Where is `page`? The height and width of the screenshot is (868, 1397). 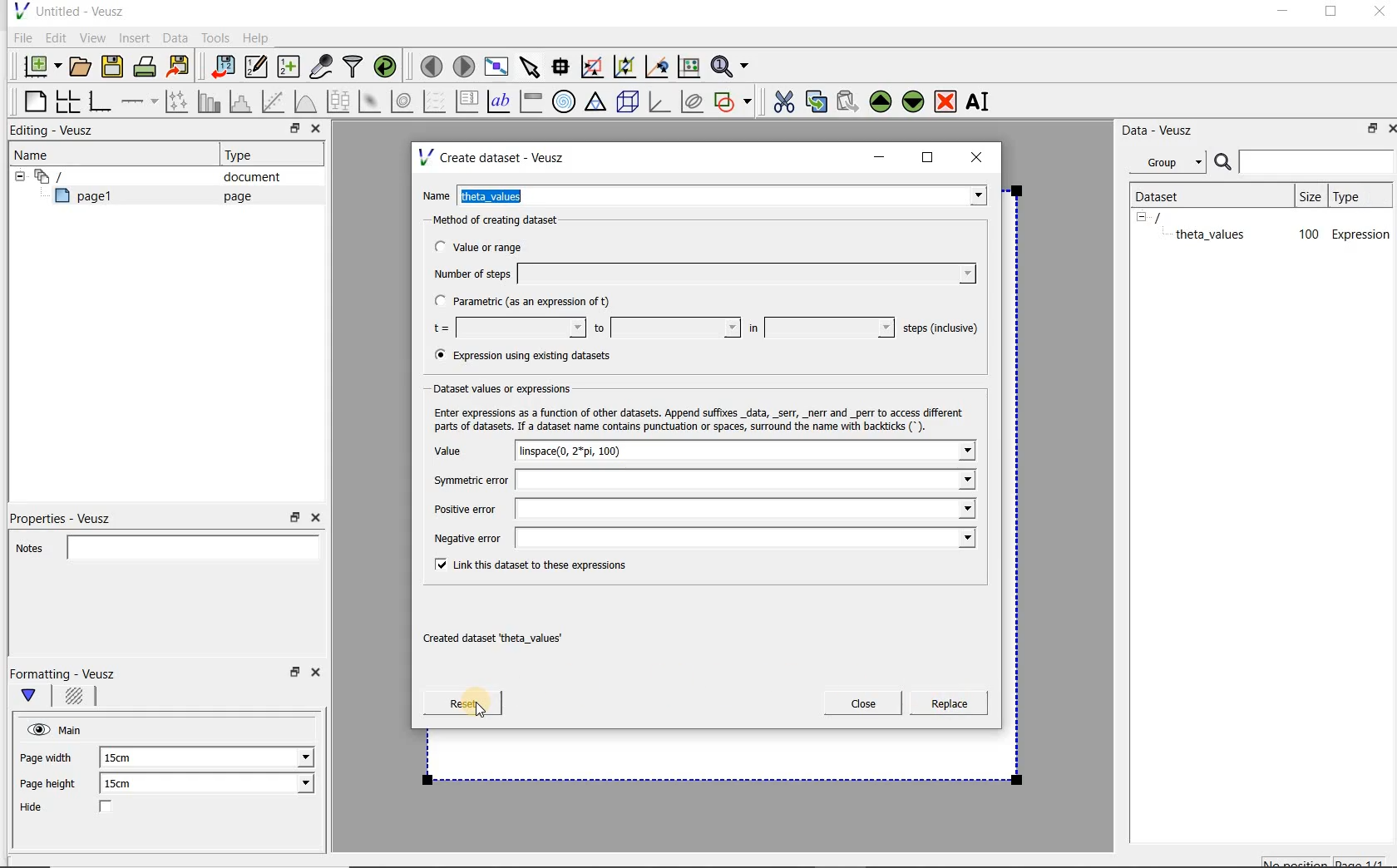
page is located at coordinates (234, 196).